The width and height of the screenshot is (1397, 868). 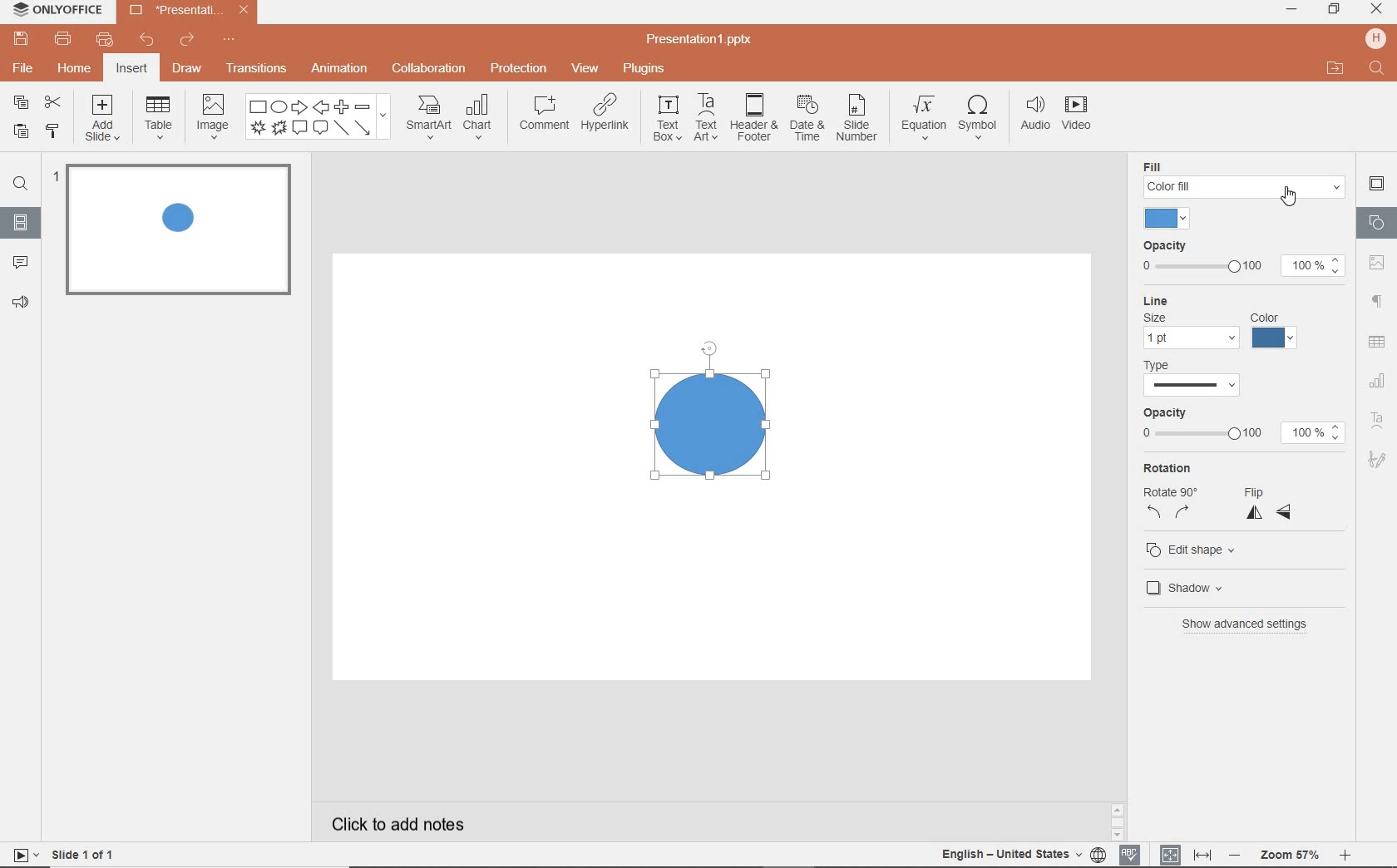 What do you see at coordinates (1033, 116) in the screenshot?
I see `audio` at bounding box center [1033, 116].